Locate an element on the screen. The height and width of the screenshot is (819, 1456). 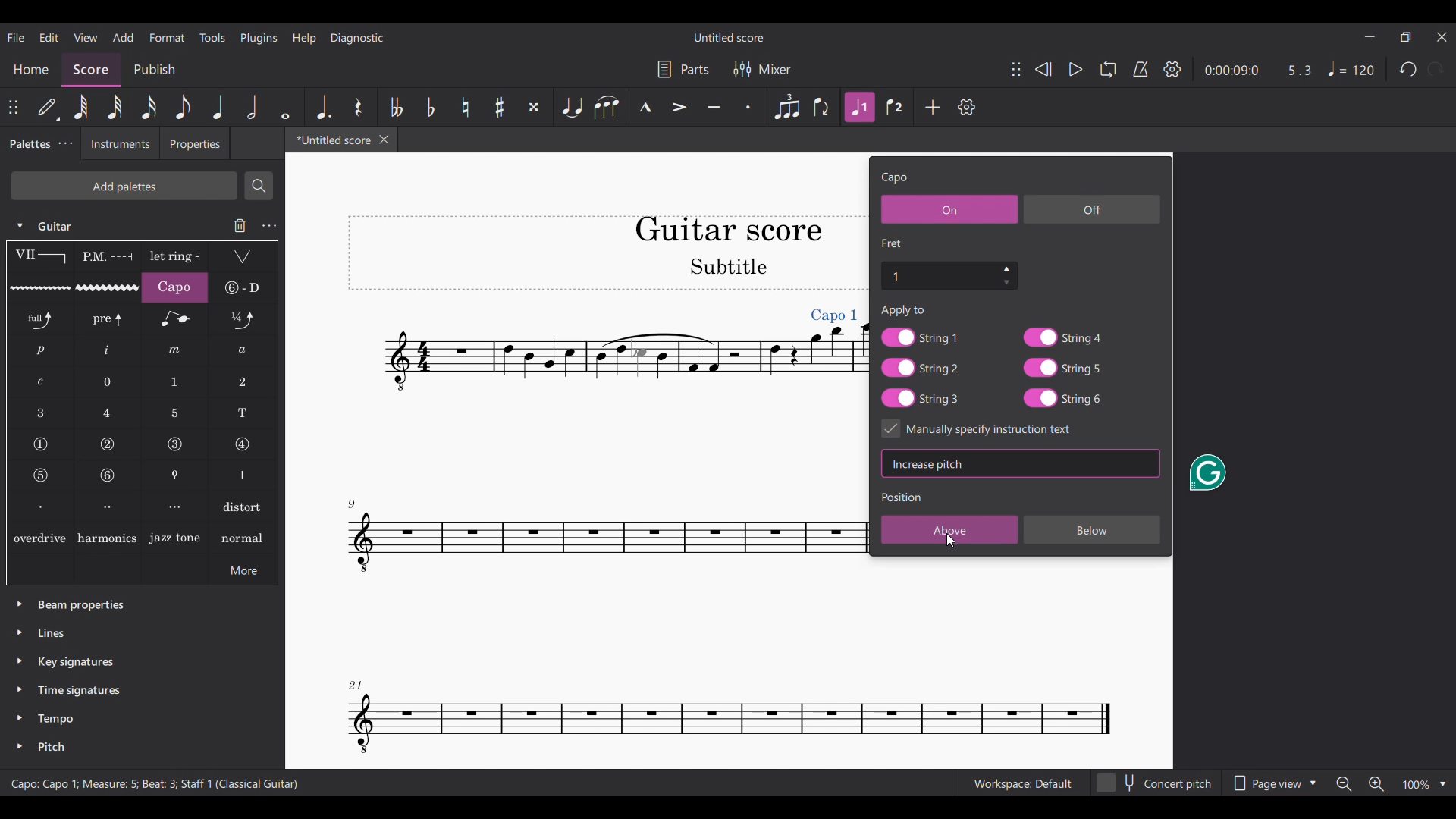
String number 3 is located at coordinates (175, 444).